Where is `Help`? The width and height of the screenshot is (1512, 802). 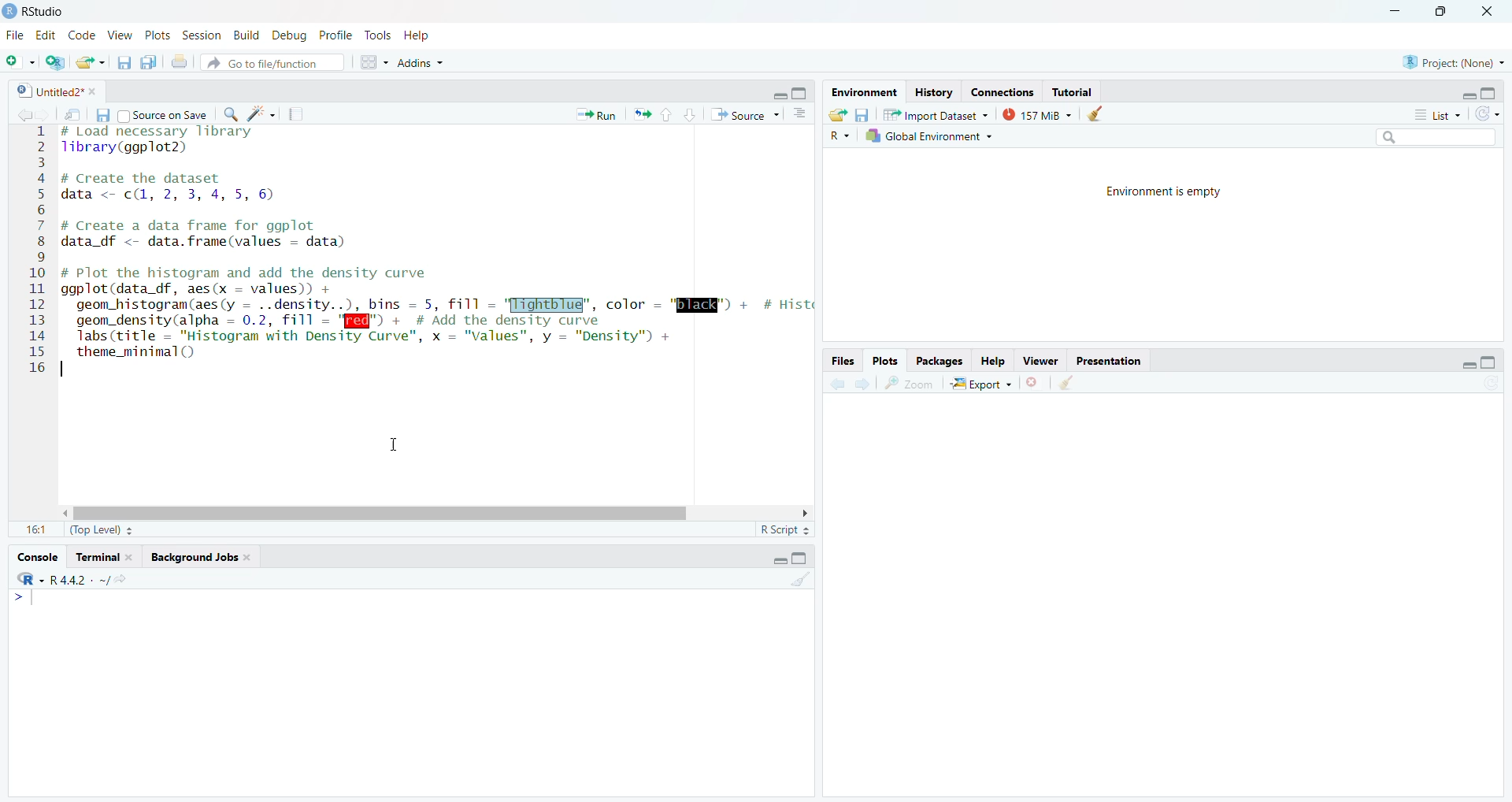 Help is located at coordinates (994, 360).